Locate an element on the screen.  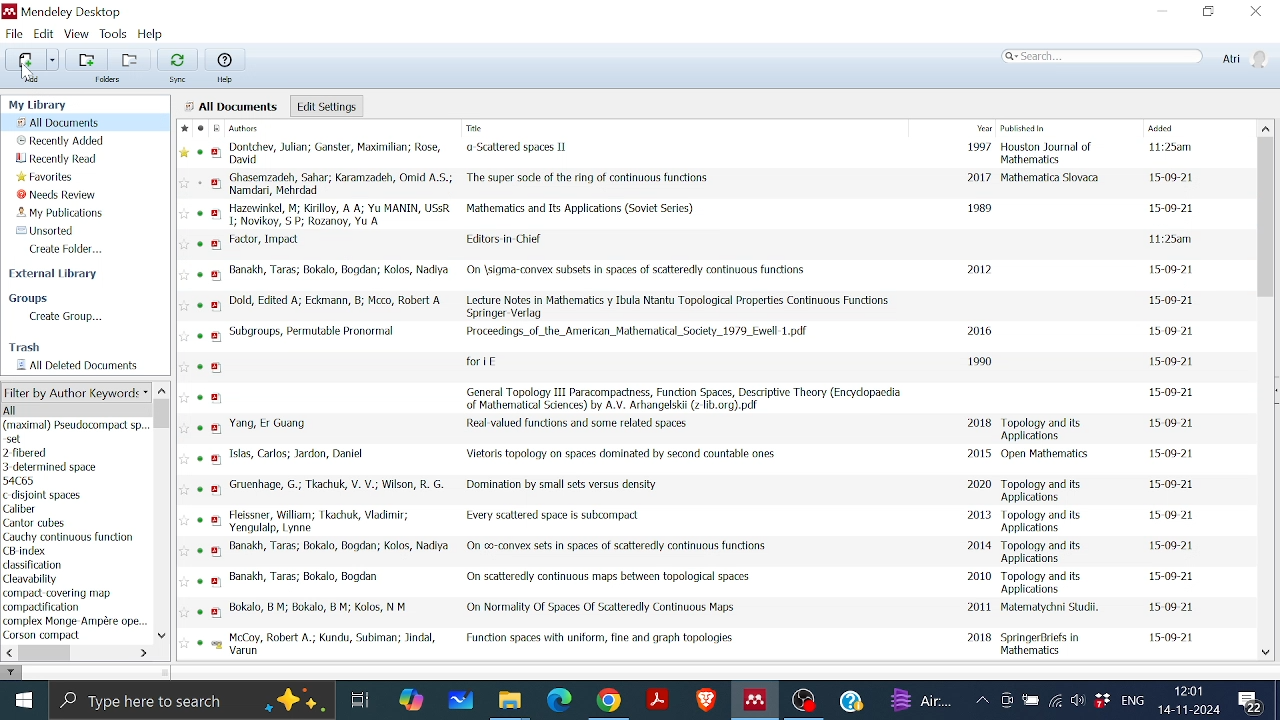
Published in is located at coordinates (1024, 127).